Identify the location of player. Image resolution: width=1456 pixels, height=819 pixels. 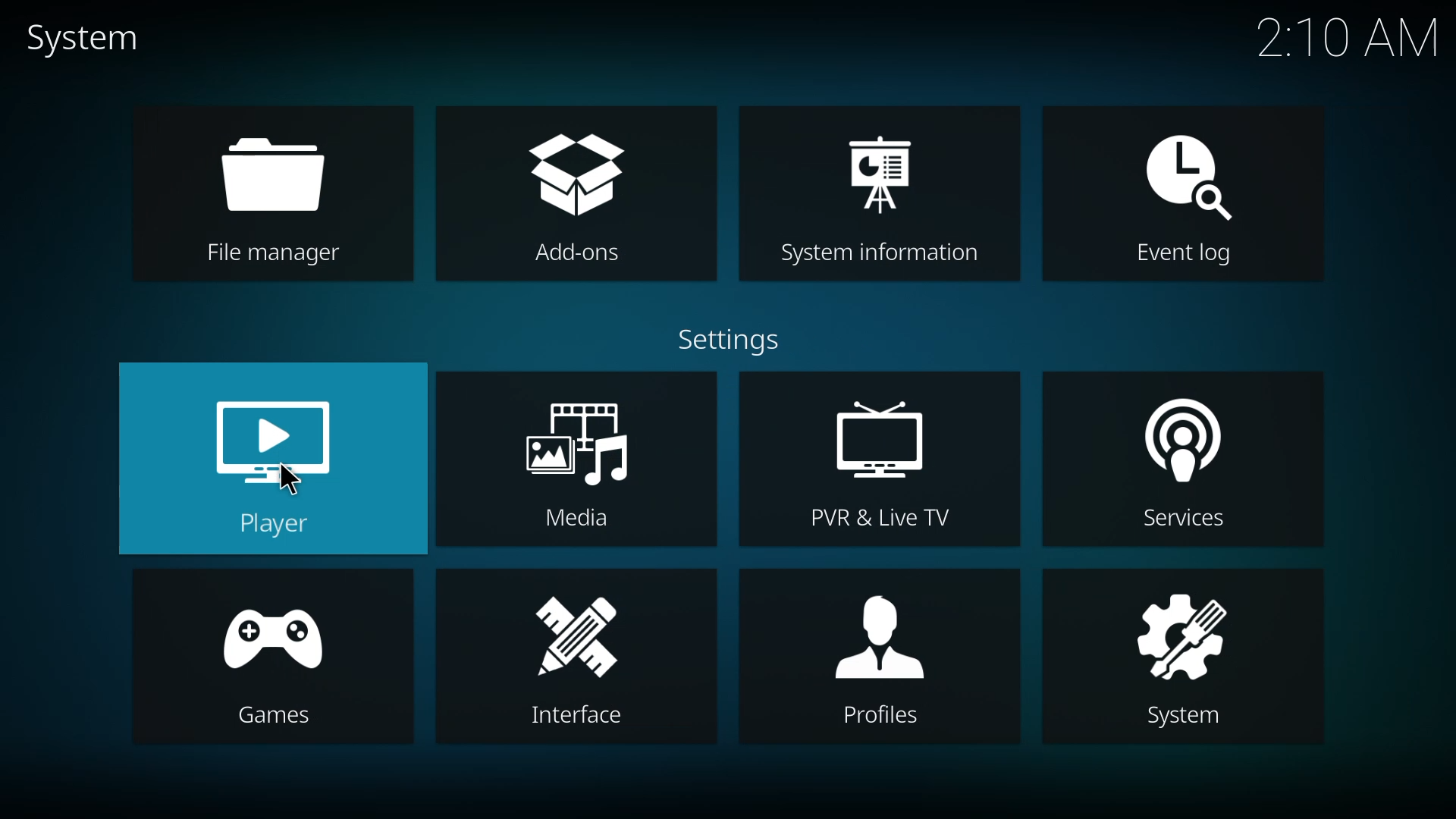
(269, 462).